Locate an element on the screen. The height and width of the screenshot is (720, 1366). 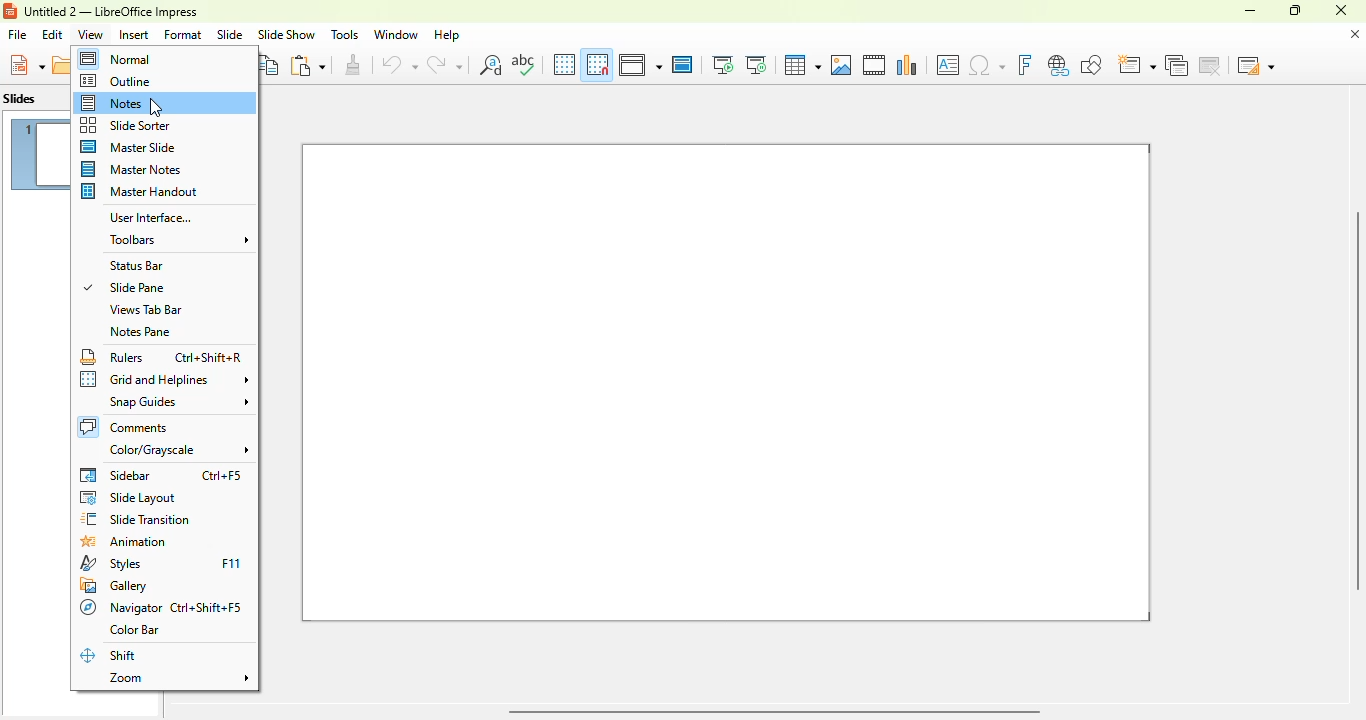
slide sorter is located at coordinates (124, 125).